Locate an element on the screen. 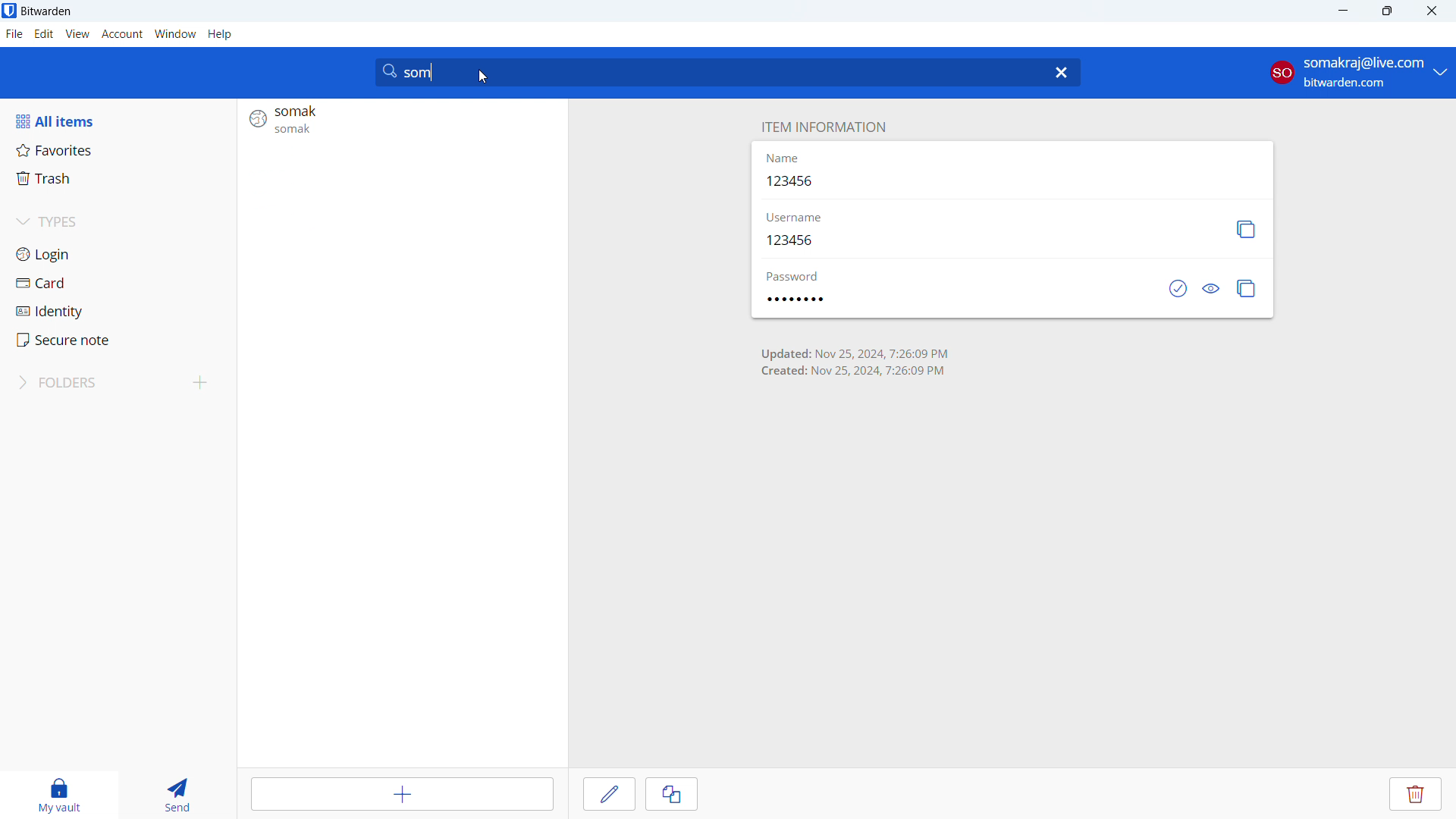 This screenshot has width=1456, height=819. send is located at coordinates (175, 792).